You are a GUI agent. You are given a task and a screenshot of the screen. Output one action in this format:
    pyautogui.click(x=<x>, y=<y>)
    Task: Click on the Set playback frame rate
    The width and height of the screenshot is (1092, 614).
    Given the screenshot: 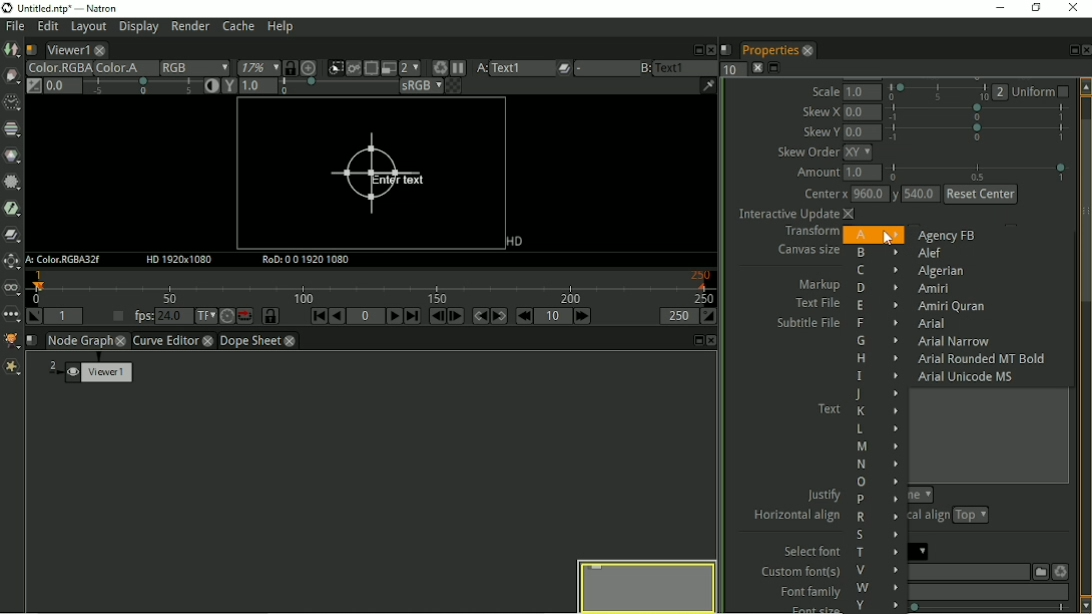 What is the action you would take?
    pyautogui.click(x=115, y=317)
    